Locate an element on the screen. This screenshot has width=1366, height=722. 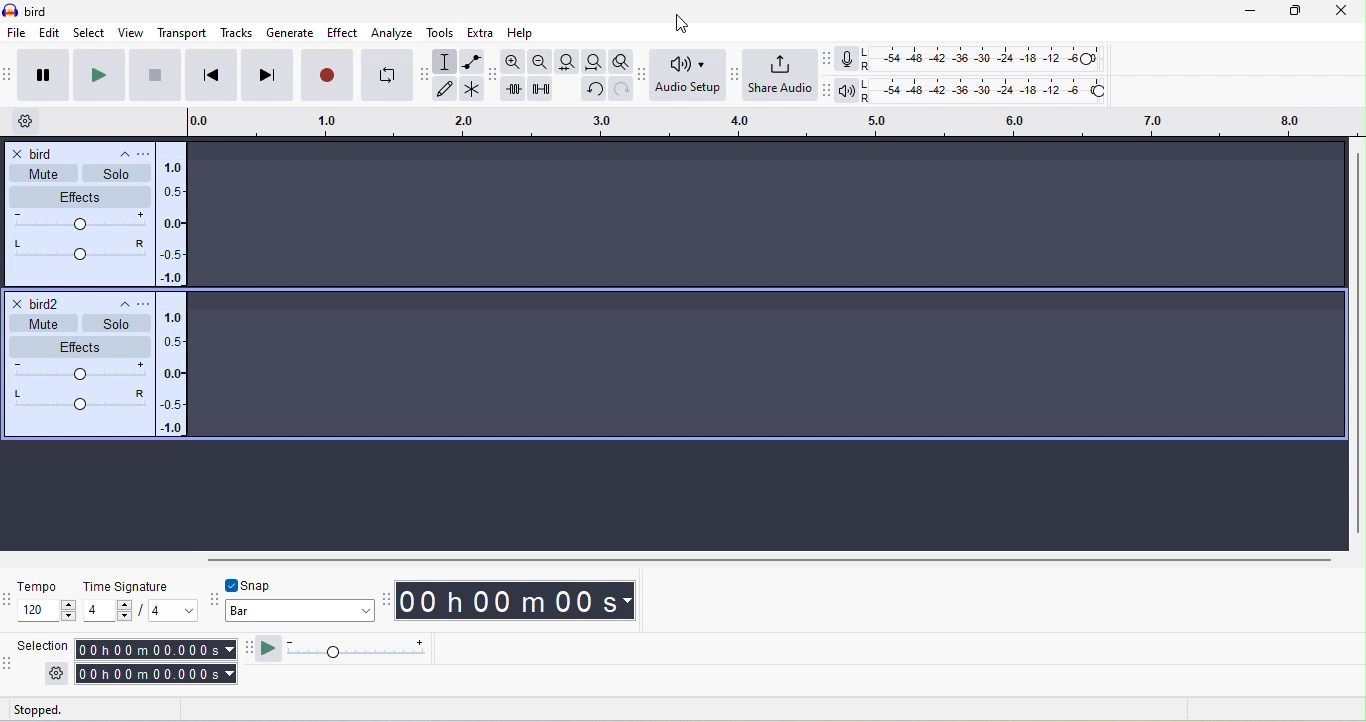
envelope tool is located at coordinates (472, 63).